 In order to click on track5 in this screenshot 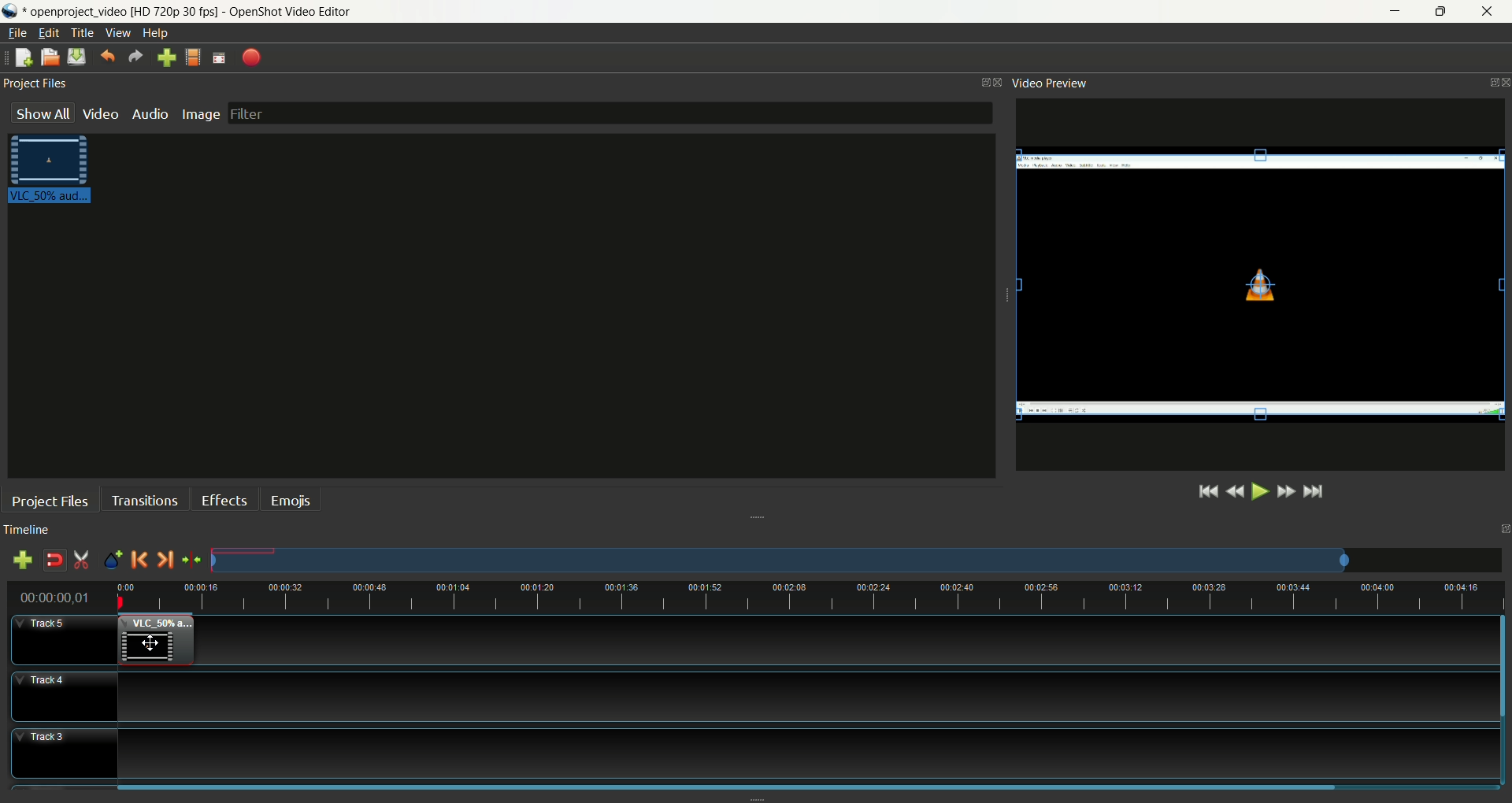, I will do `click(64, 642)`.